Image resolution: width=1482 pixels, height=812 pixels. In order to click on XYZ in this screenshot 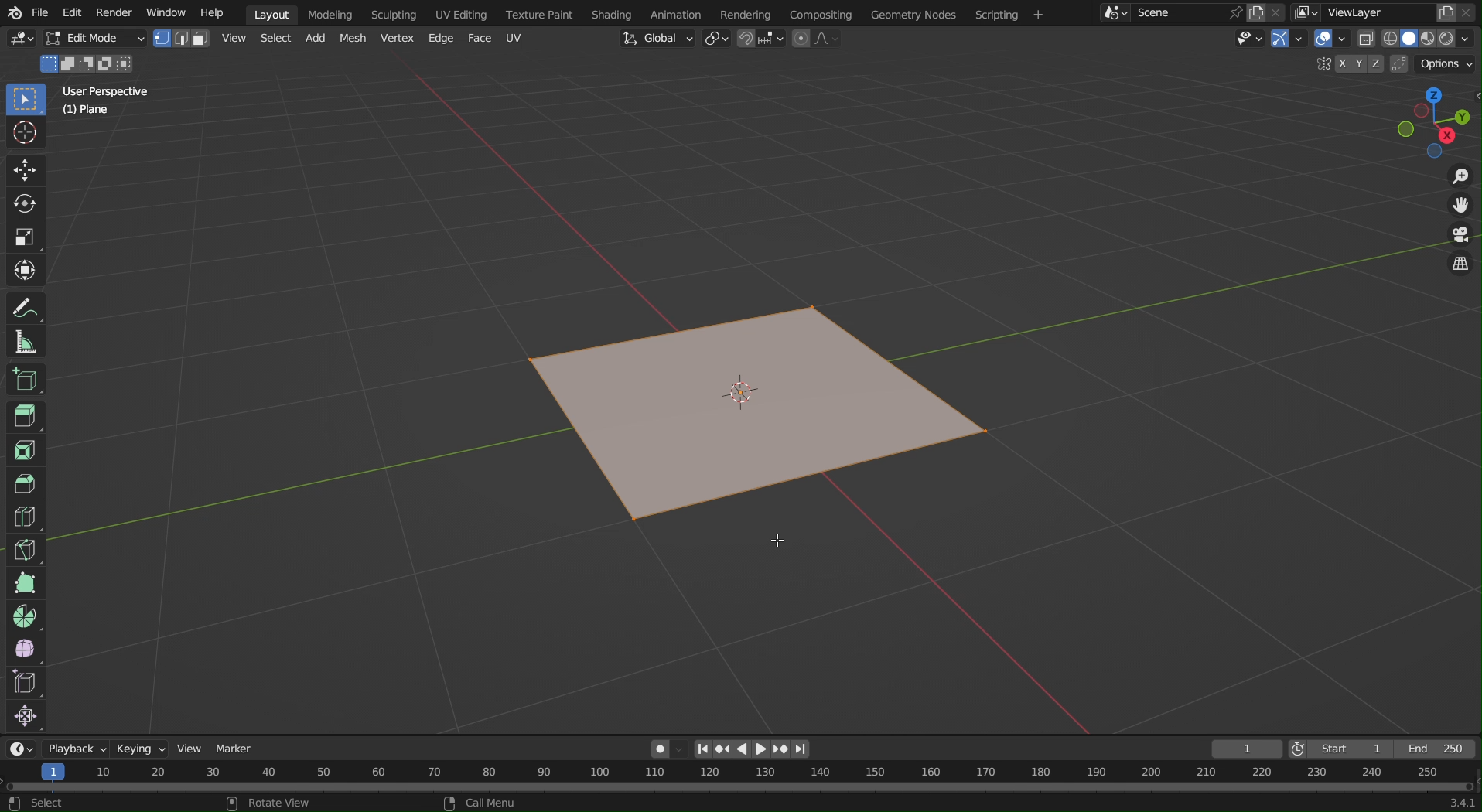, I will do `click(1354, 63)`.